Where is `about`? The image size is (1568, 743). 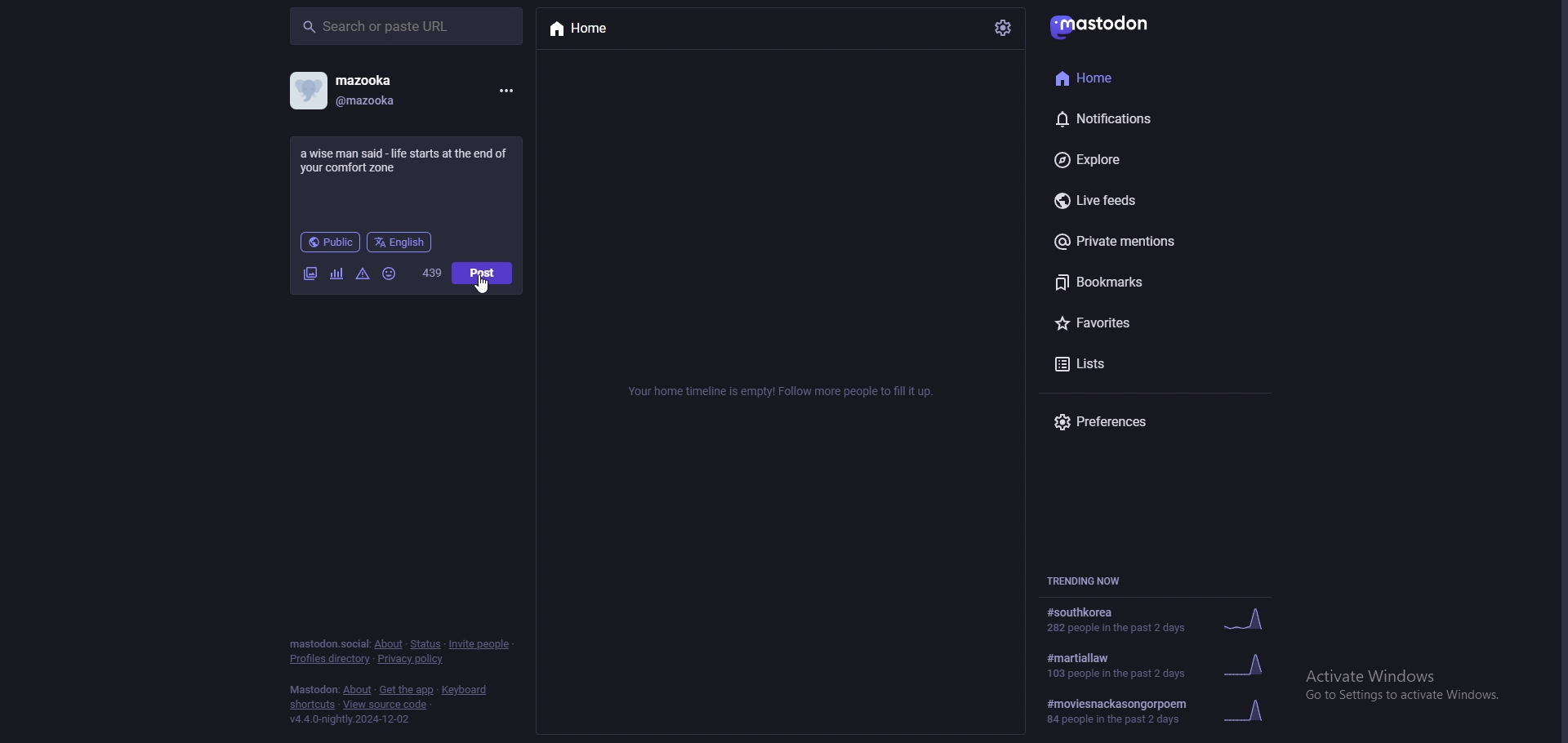
about is located at coordinates (388, 643).